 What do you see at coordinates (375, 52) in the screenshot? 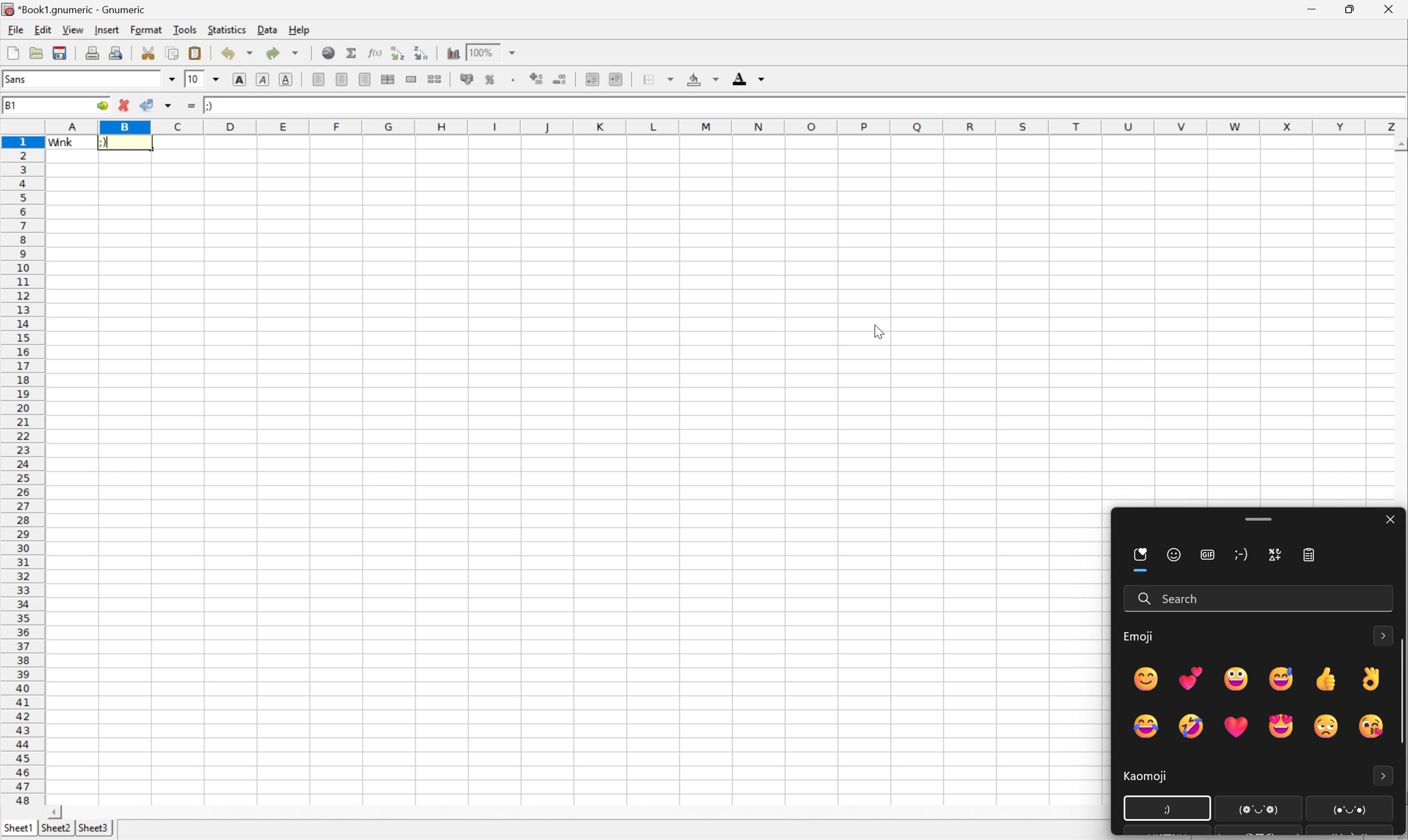
I see `edit function in current cell` at bounding box center [375, 52].